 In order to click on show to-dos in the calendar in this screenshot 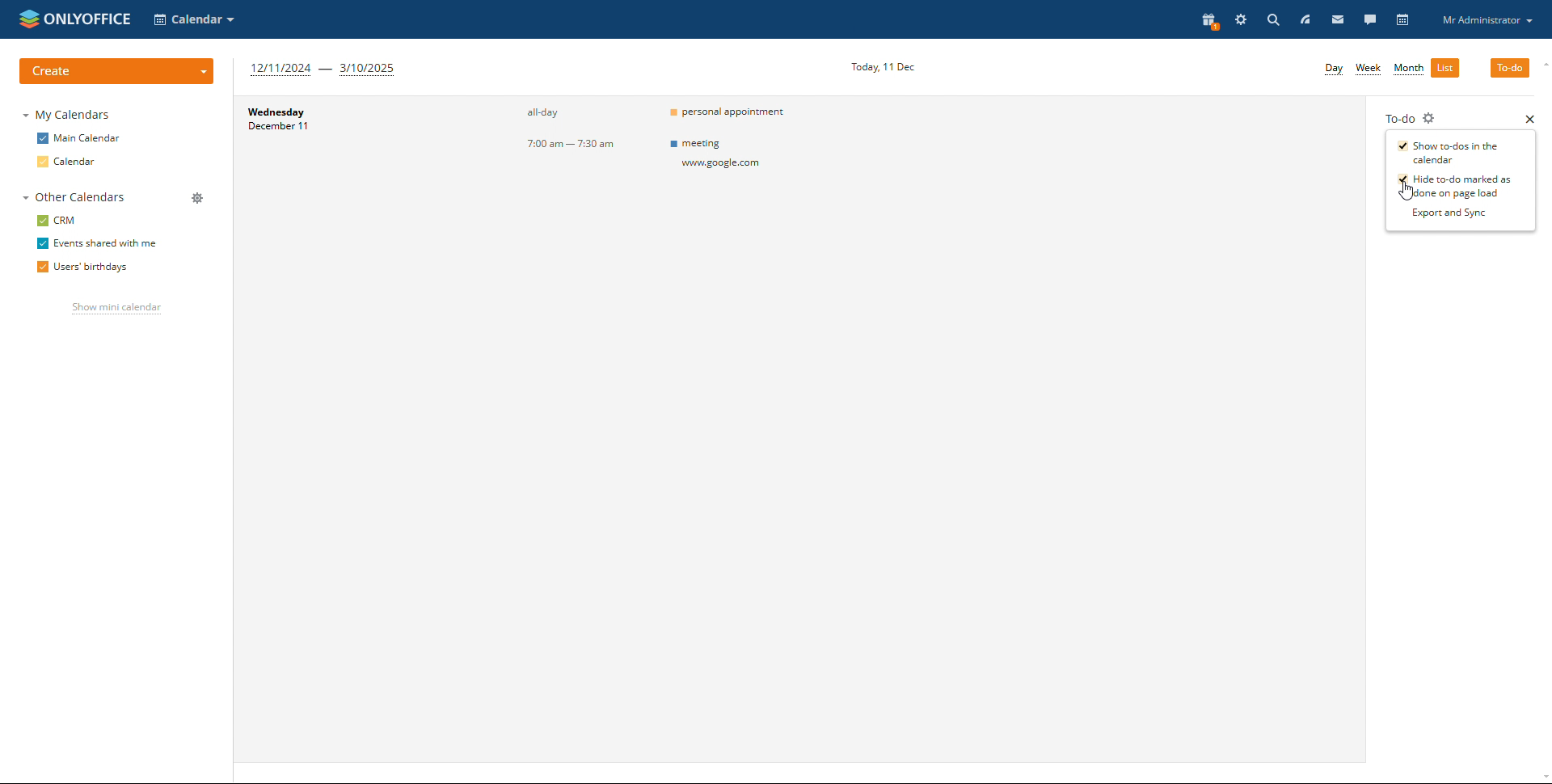, I will do `click(1449, 152)`.